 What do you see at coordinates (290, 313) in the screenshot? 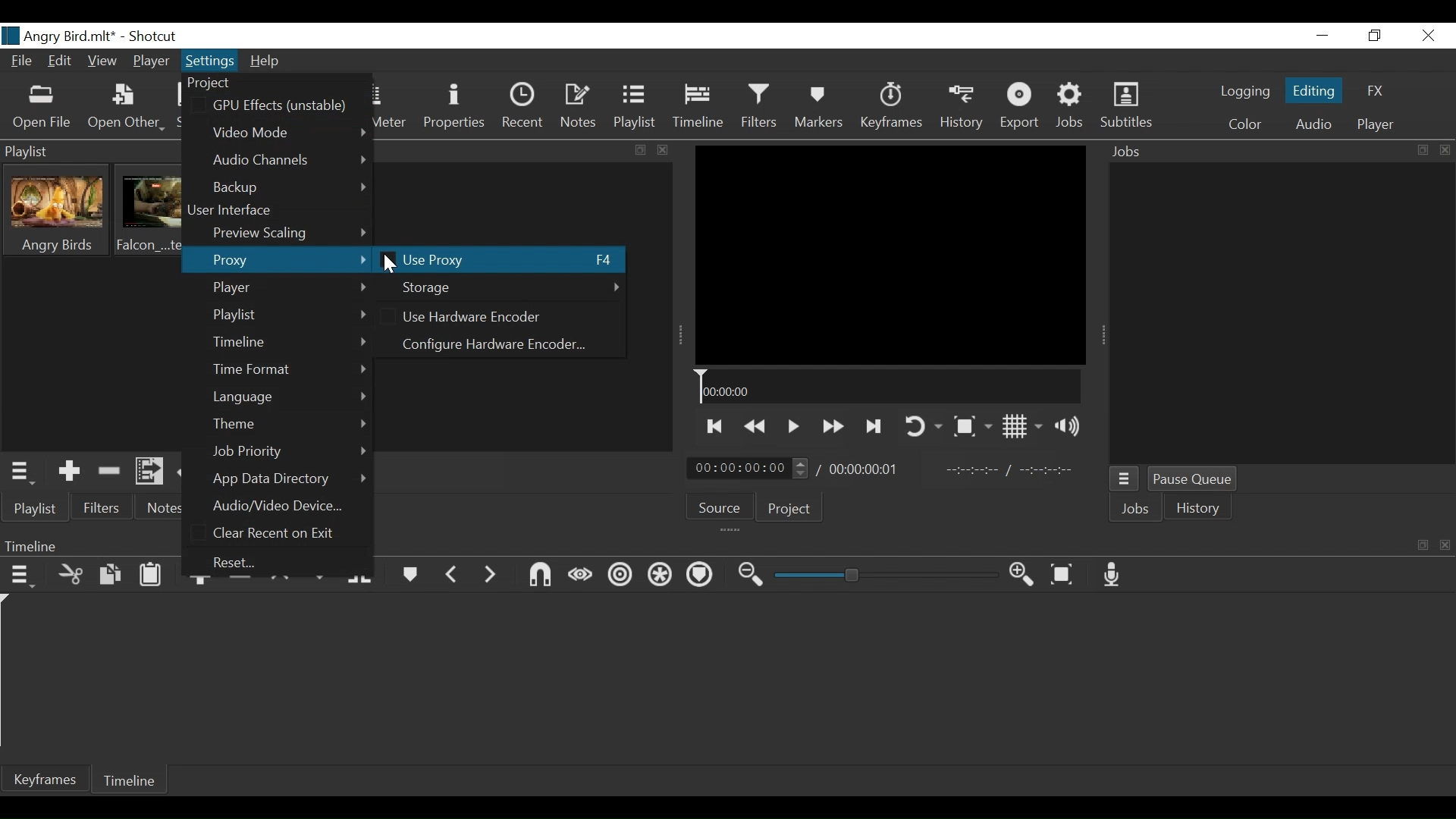
I see `Playlist` at bounding box center [290, 313].